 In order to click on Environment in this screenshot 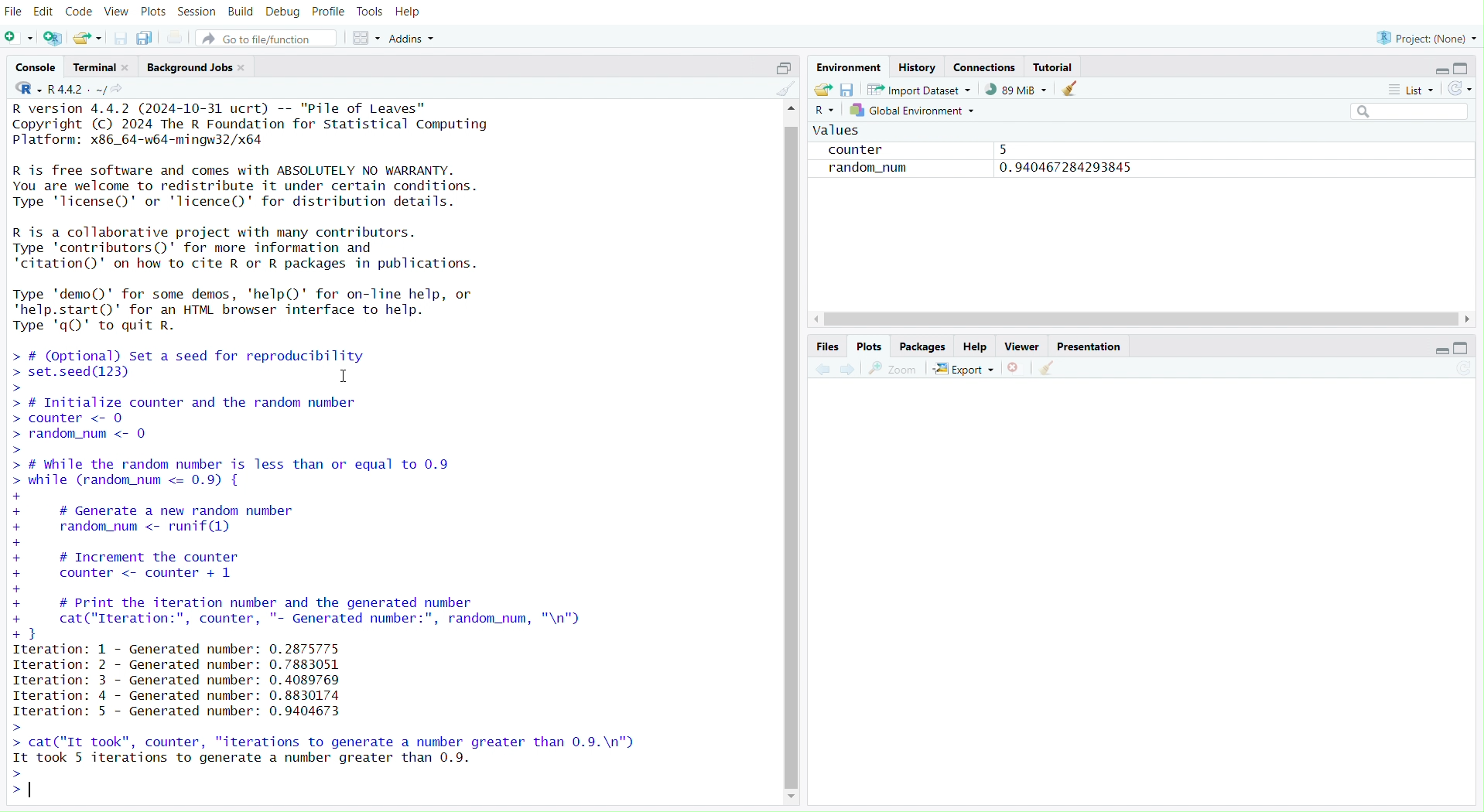, I will do `click(850, 64)`.